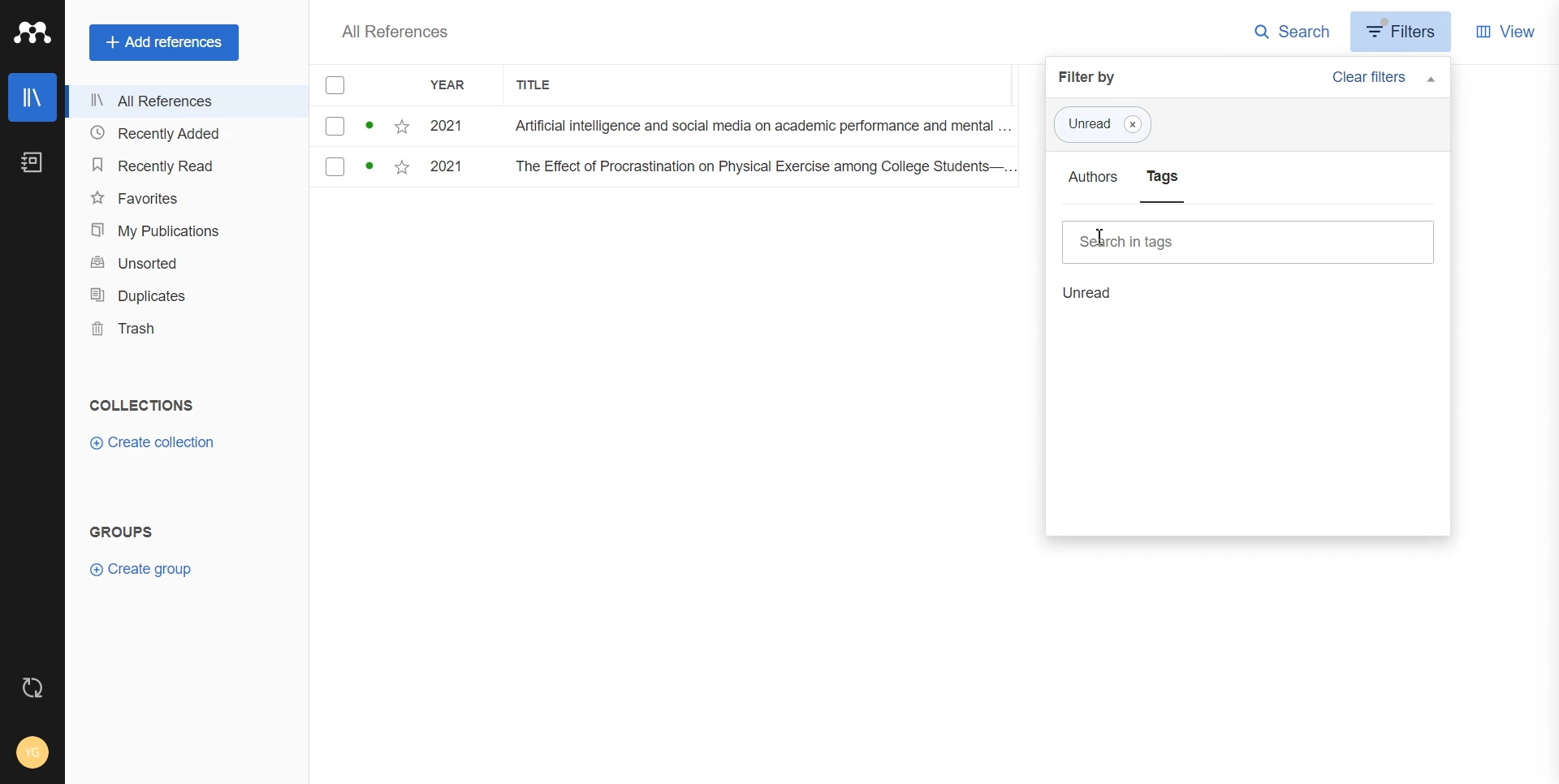  Describe the element at coordinates (1404, 31) in the screenshot. I see `Filters` at that location.